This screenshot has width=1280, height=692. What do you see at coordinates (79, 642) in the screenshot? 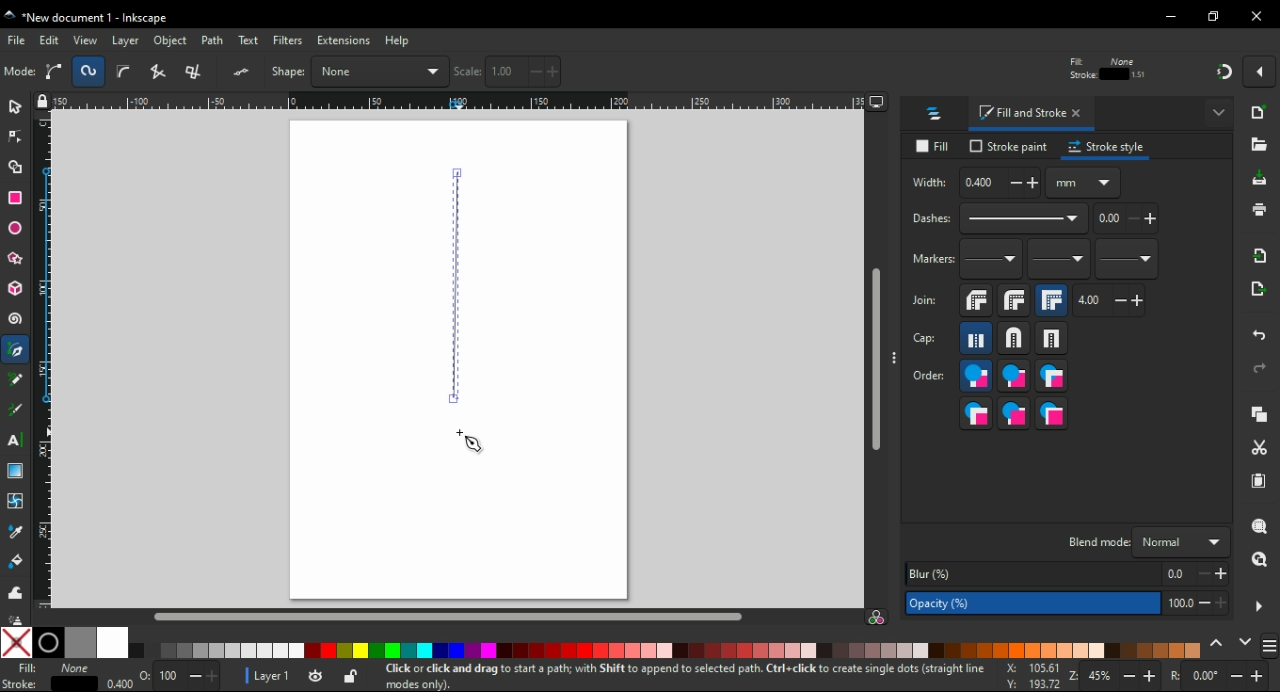
I see `50% grey` at bounding box center [79, 642].